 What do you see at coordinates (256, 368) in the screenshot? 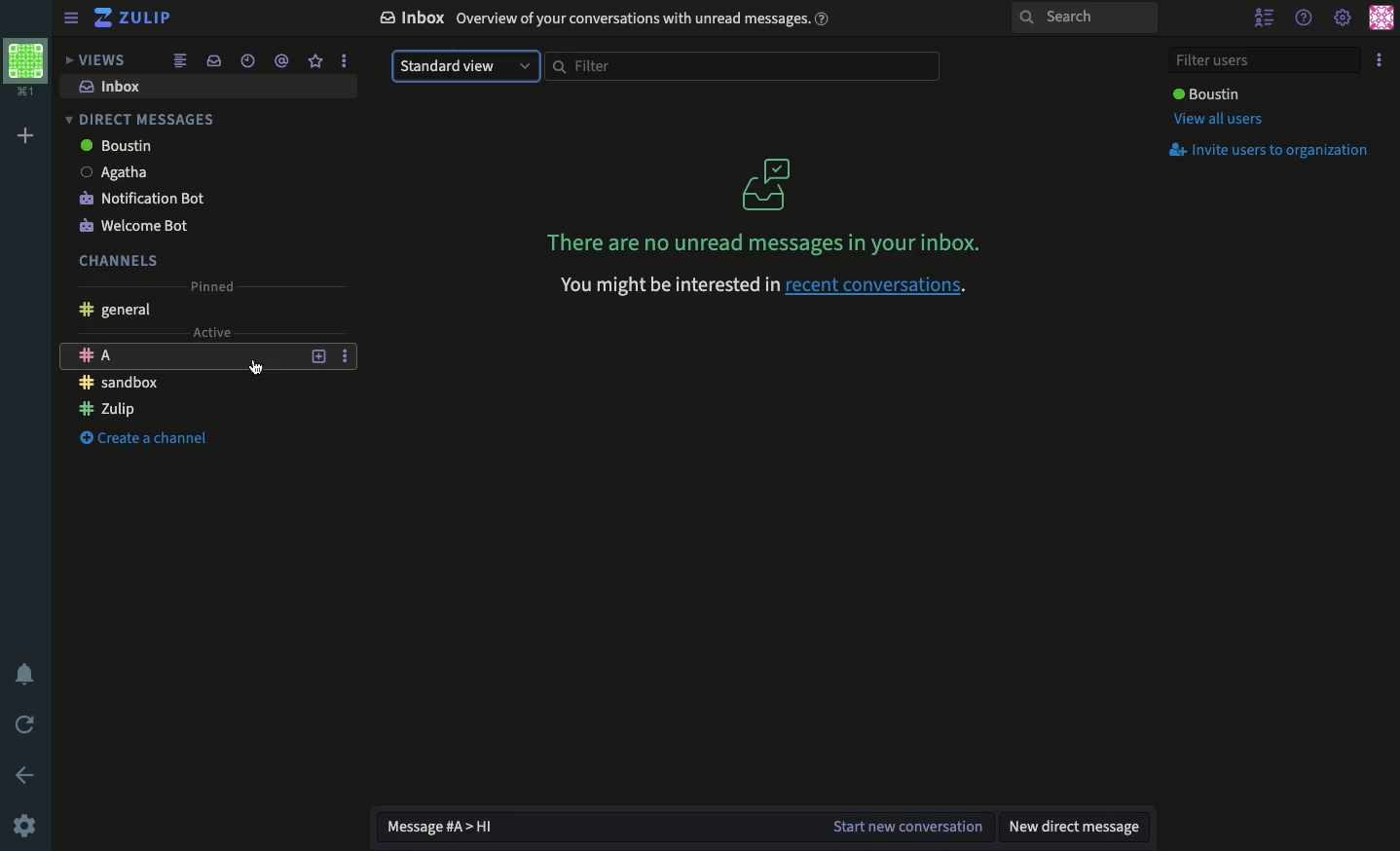
I see `cursor` at bounding box center [256, 368].